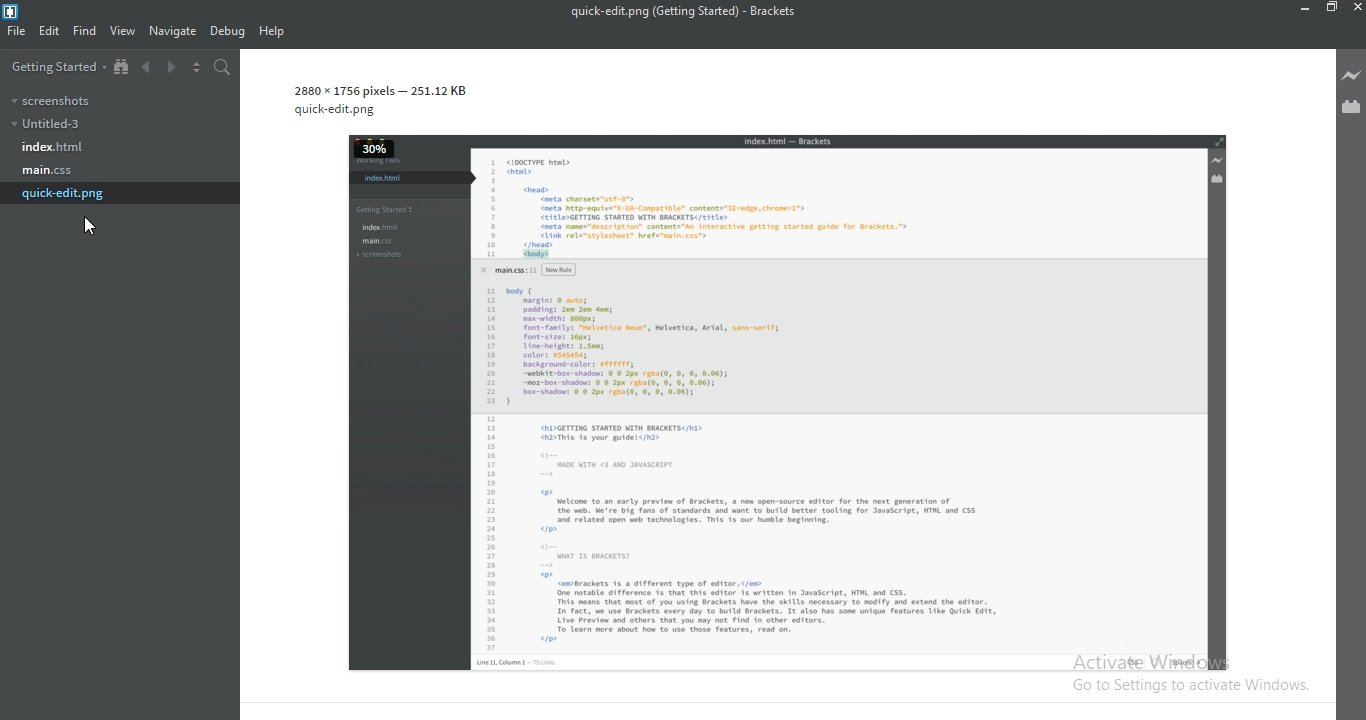 Image resolution: width=1366 pixels, height=720 pixels. What do you see at coordinates (172, 31) in the screenshot?
I see `navigate` at bounding box center [172, 31].